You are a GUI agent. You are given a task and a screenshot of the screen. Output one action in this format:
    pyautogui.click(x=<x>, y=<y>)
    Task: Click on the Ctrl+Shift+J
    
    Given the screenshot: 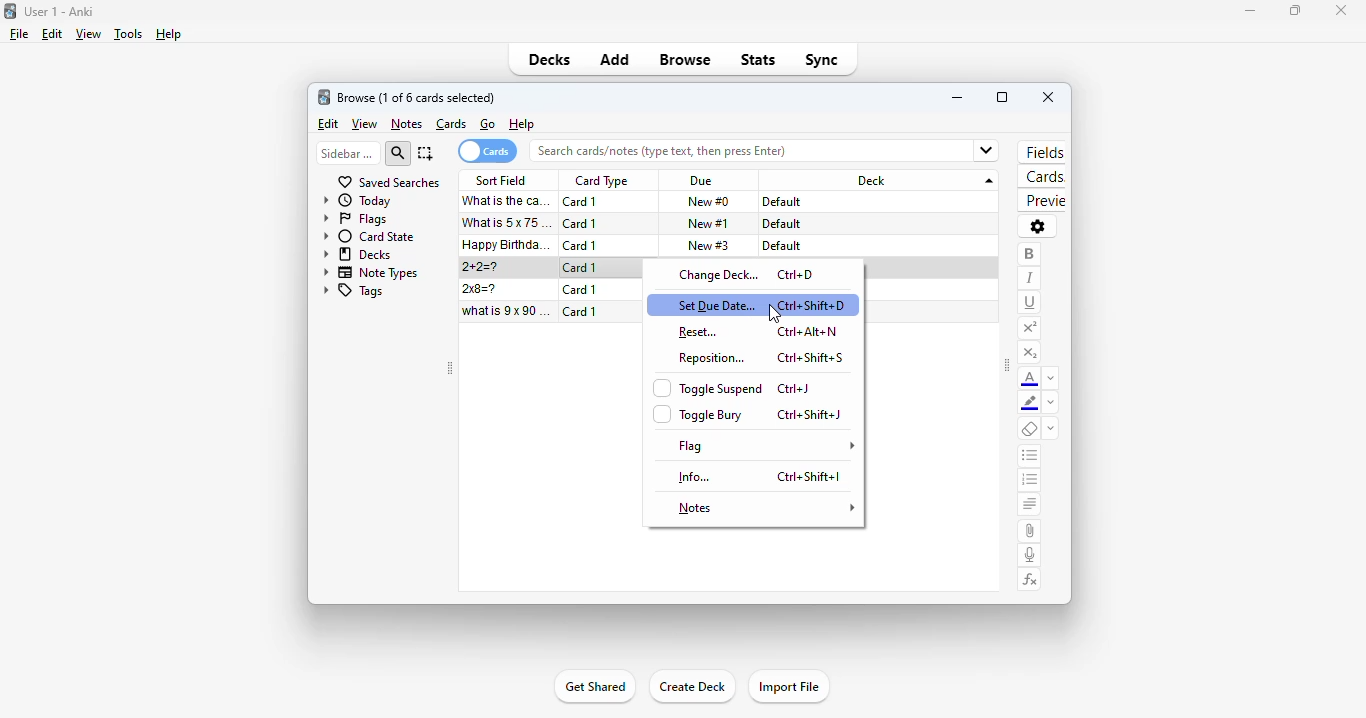 What is the action you would take?
    pyautogui.click(x=808, y=414)
    